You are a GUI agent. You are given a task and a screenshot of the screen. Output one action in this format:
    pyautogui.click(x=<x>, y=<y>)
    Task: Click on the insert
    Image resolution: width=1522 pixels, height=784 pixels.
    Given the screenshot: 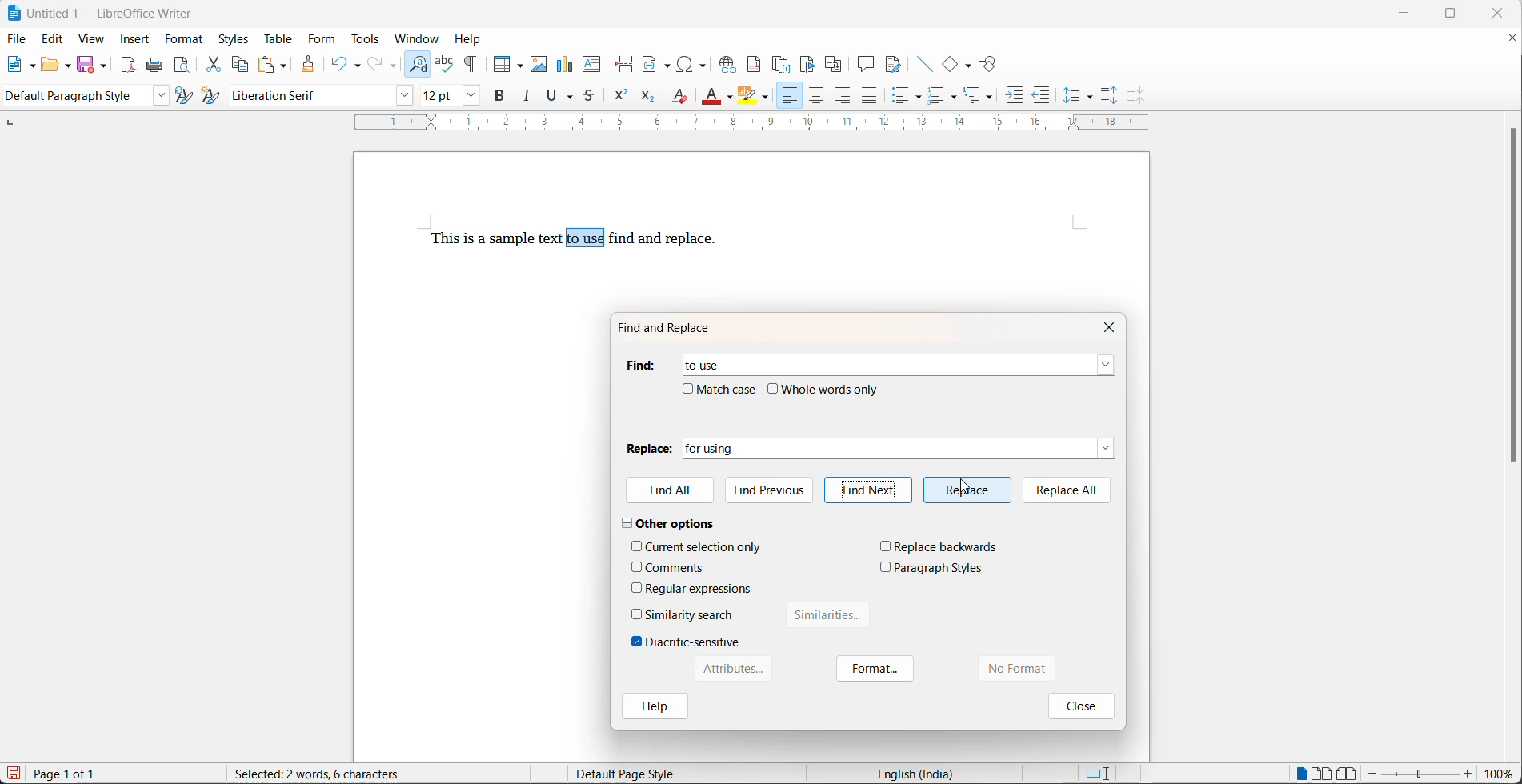 What is the action you would take?
    pyautogui.click(x=135, y=38)
    